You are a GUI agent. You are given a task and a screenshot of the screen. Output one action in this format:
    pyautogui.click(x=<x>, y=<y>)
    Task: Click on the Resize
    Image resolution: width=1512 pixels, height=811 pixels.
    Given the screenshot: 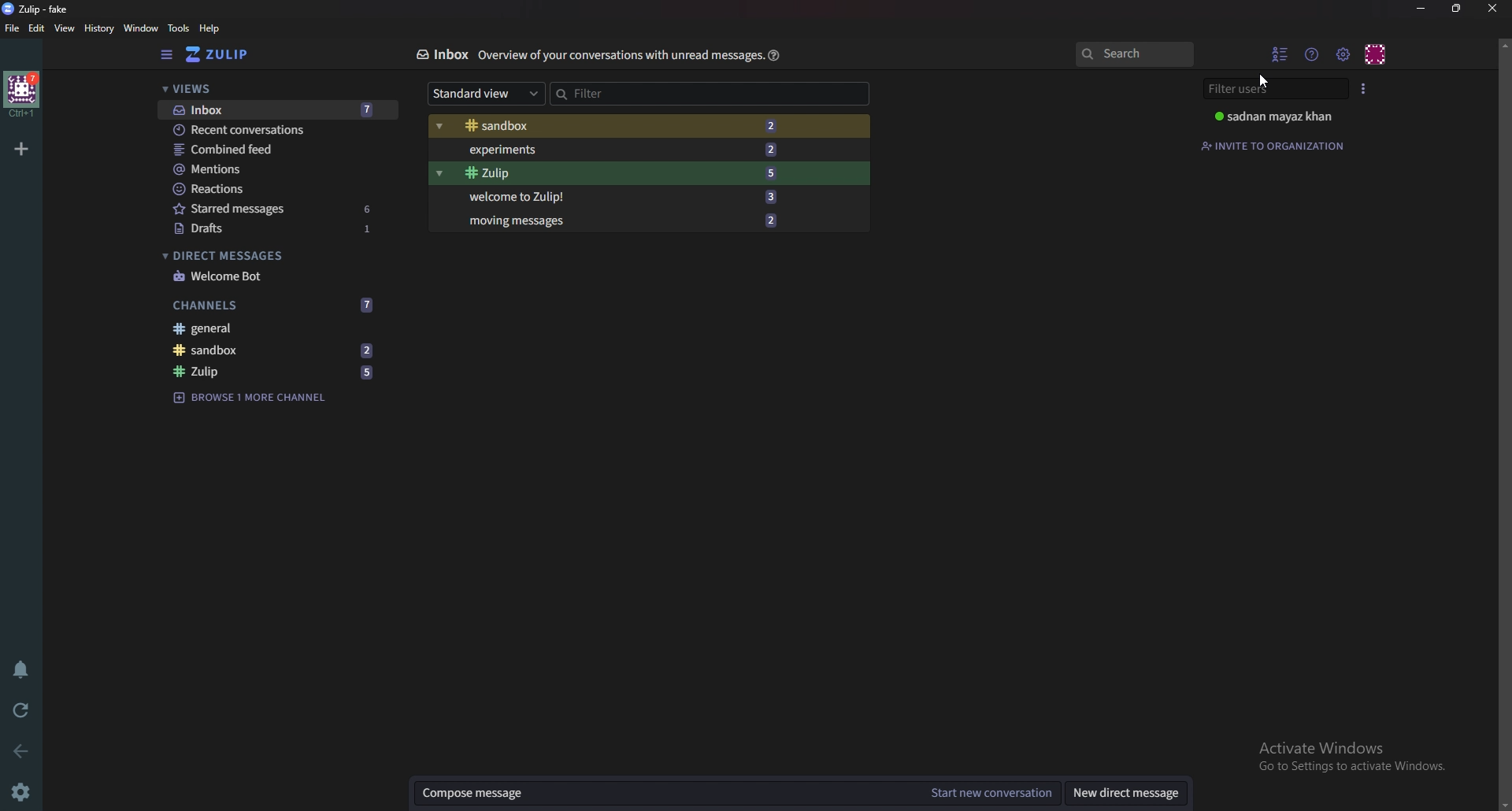 What is the action you would take?
    pyautogui.click(x=1460, y=9)
    